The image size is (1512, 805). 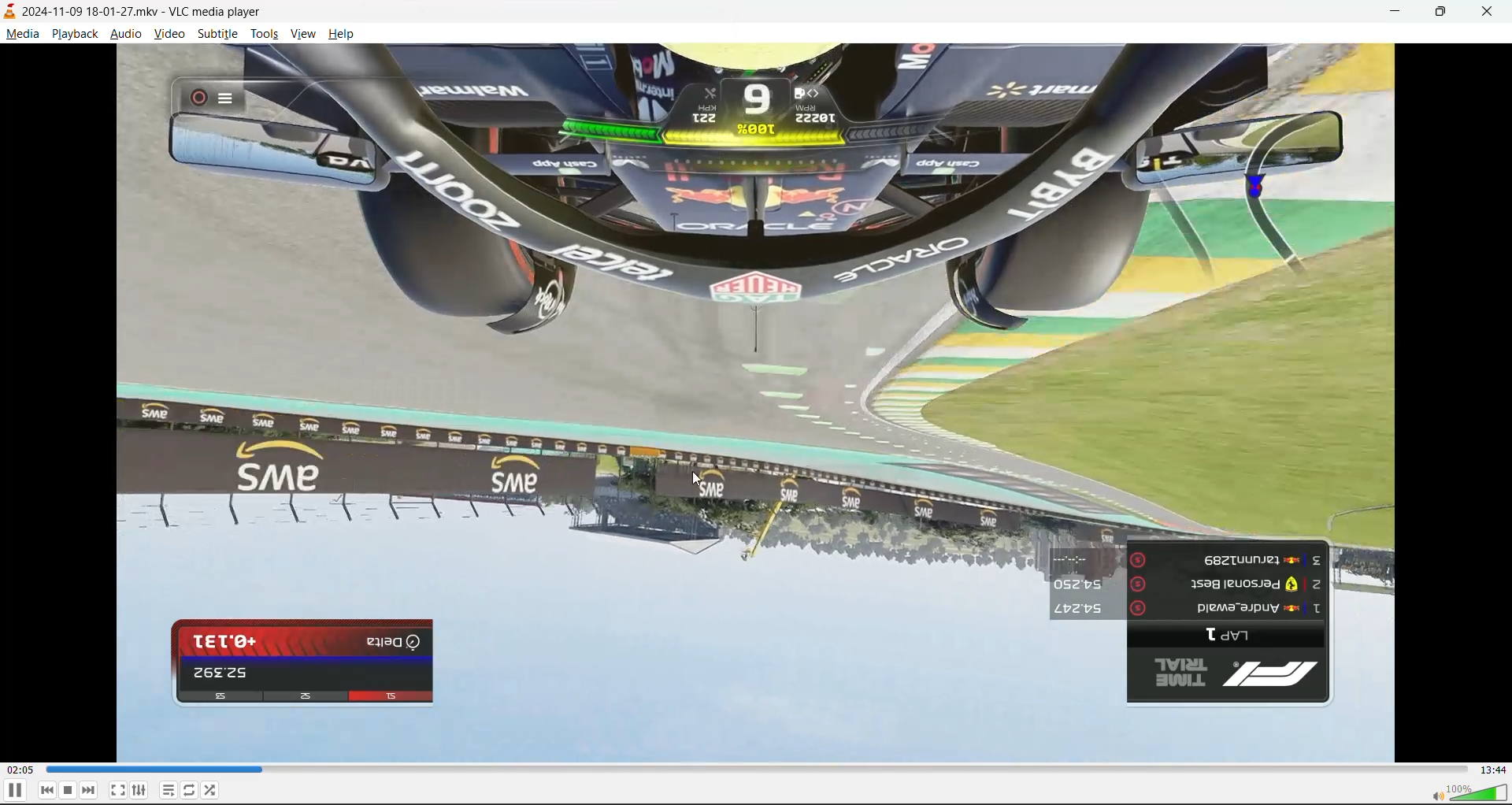 What do you see at coordinates (14, 792) in the screenshot?
I see `pause` at bounding box center [14, 792].